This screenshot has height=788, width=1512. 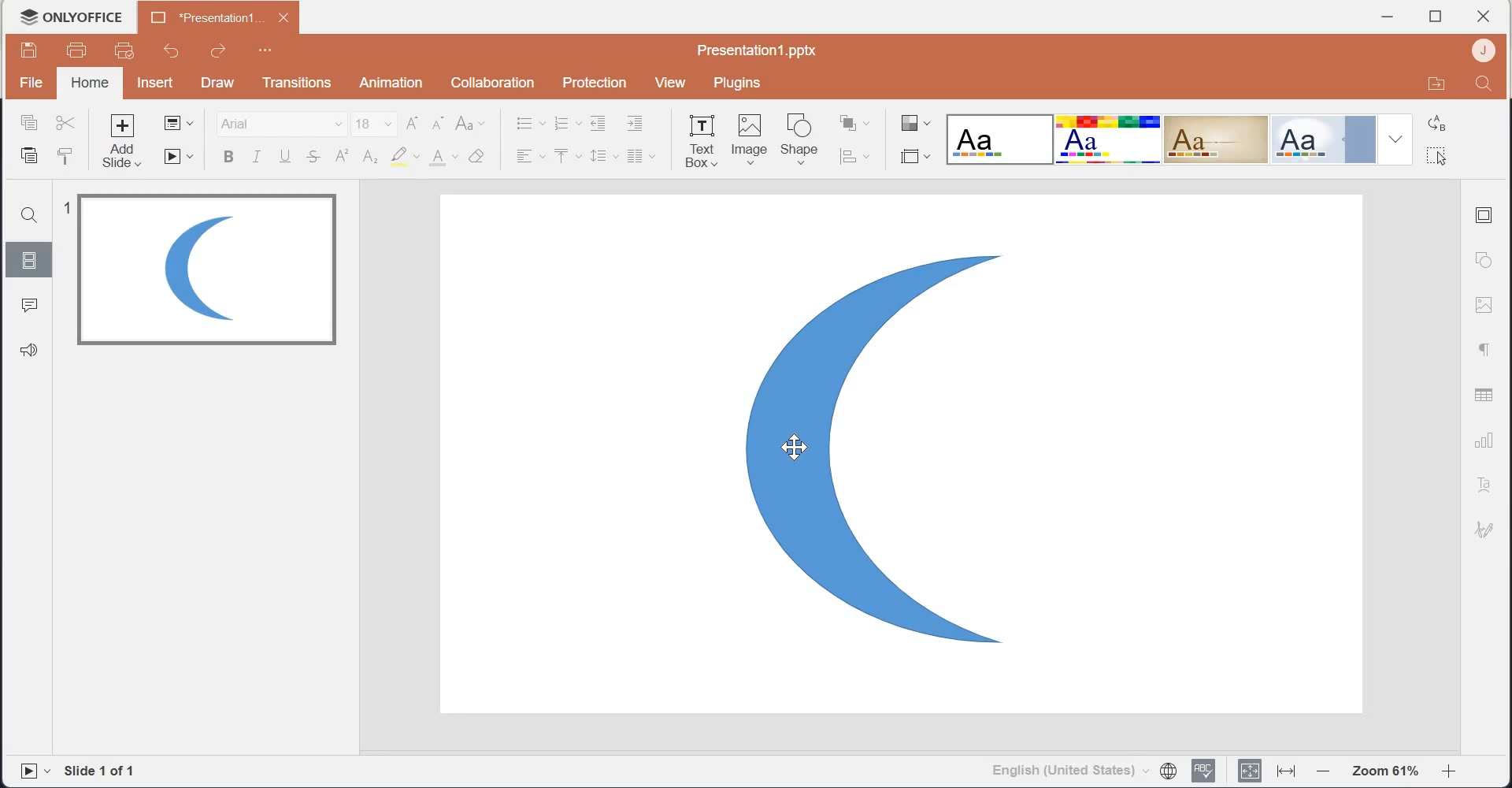 I want to click on Strike through, so click(x=314, y=156).